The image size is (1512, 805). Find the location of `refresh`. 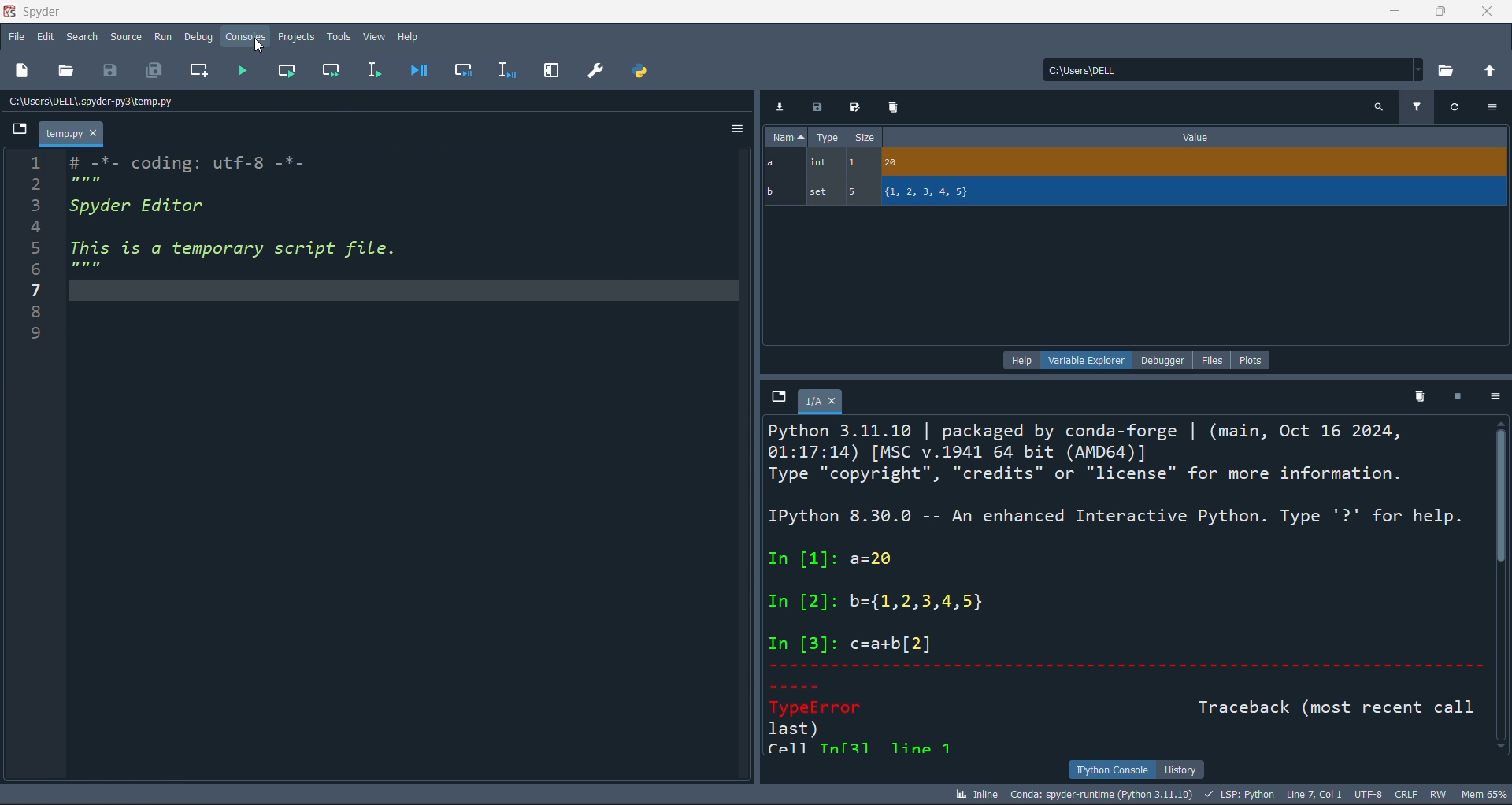

refresh is located at coordinates (1451, 107).